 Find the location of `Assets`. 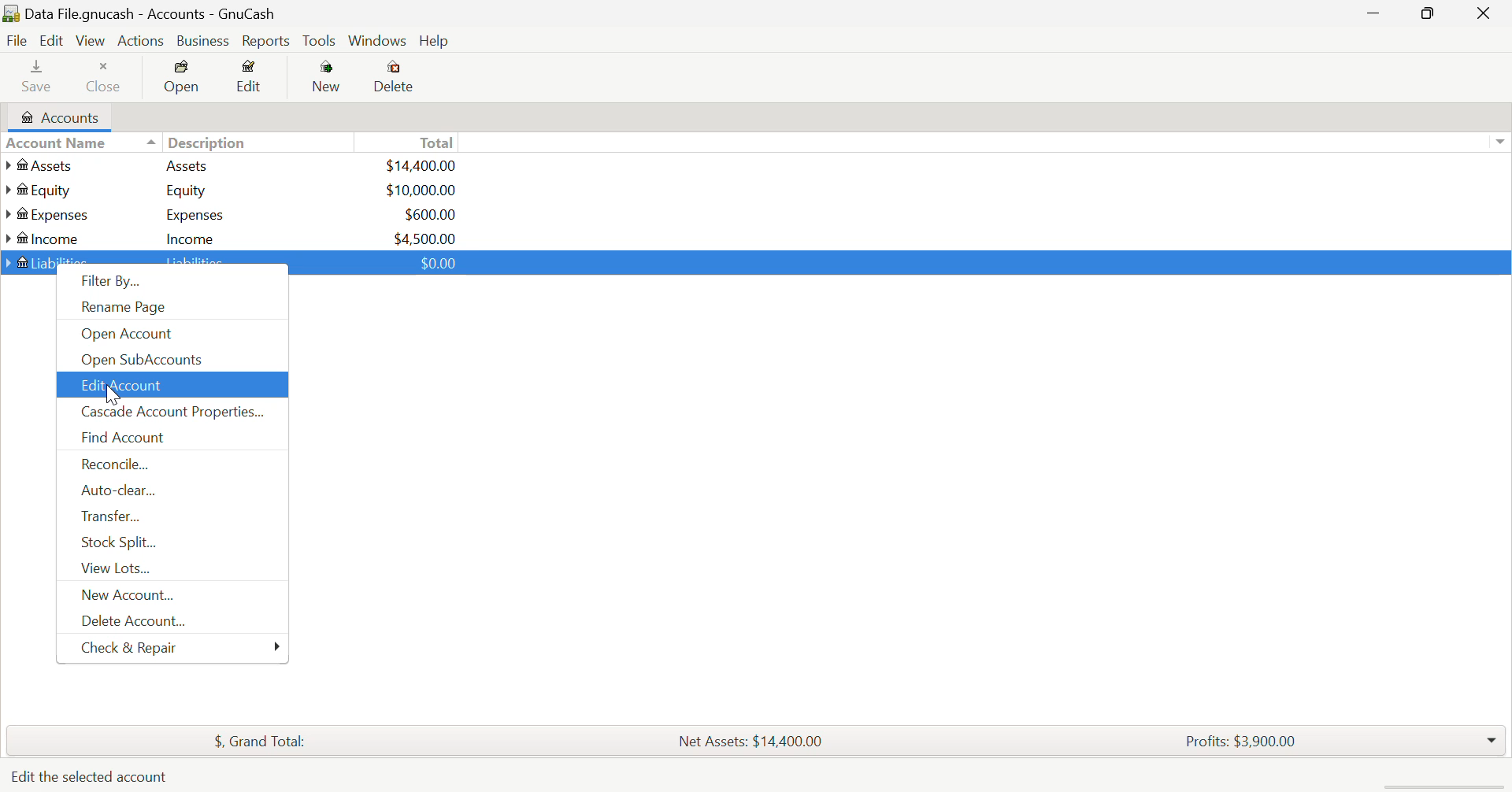

Assets is located at coordinates (187, 165).